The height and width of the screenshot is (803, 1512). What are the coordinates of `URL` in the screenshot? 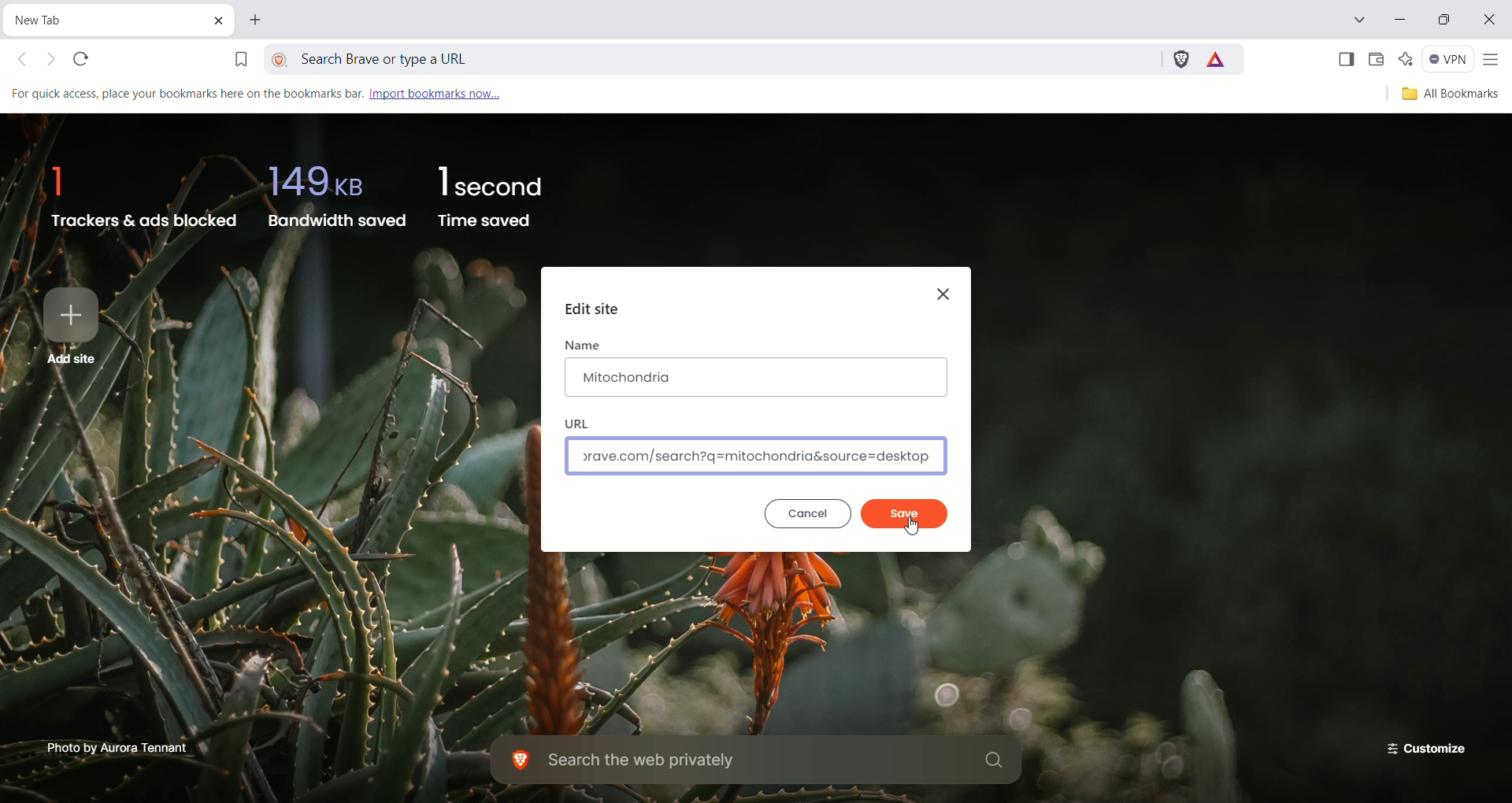 It's located at (757, 457).